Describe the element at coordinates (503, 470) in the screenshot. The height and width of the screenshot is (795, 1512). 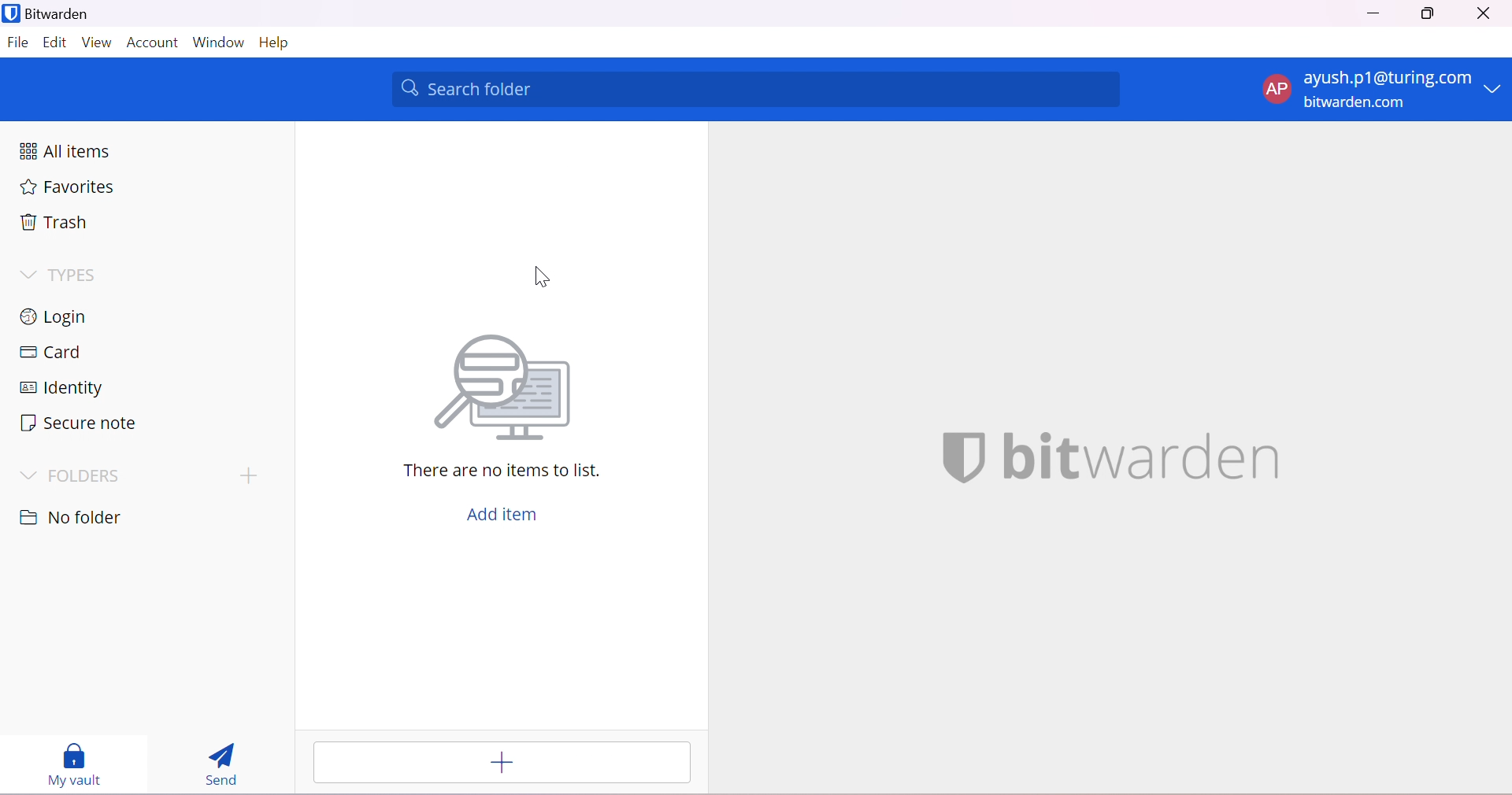
I see `There are no items to list.` at that location.